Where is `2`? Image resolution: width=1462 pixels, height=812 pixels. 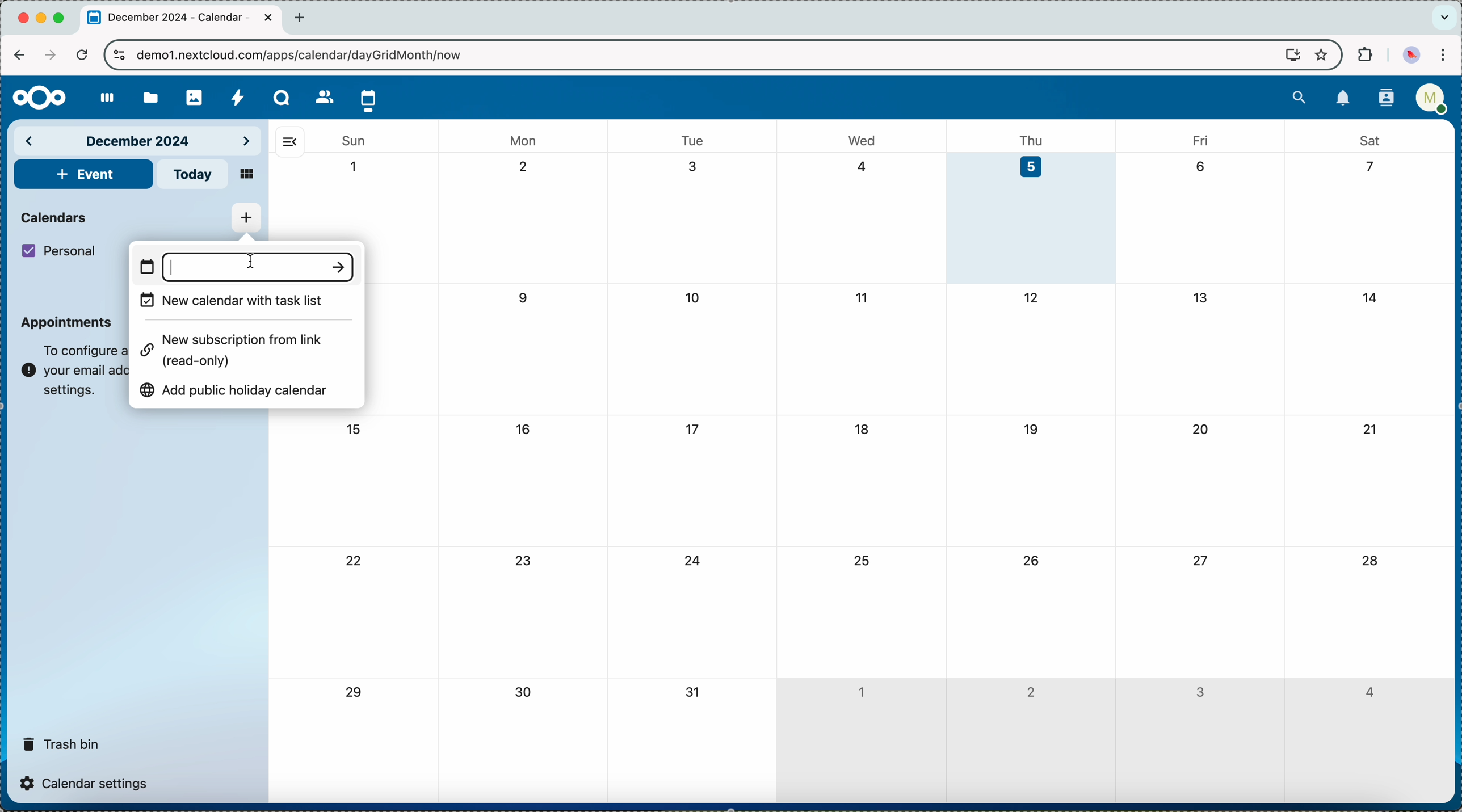
2 is located at coordinates (528, 167).